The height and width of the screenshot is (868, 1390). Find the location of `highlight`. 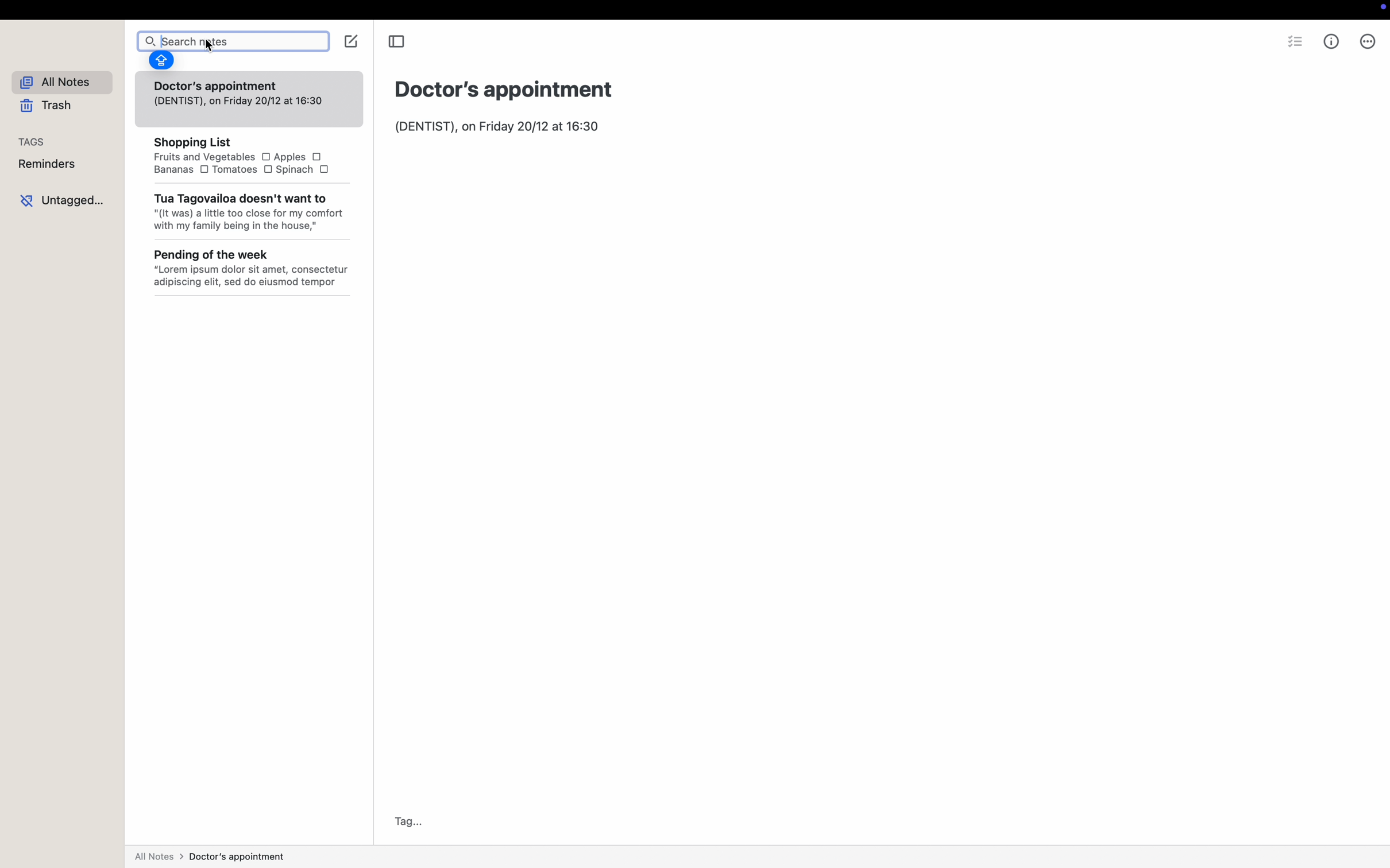

highlight is located at coordinates (161, 63).